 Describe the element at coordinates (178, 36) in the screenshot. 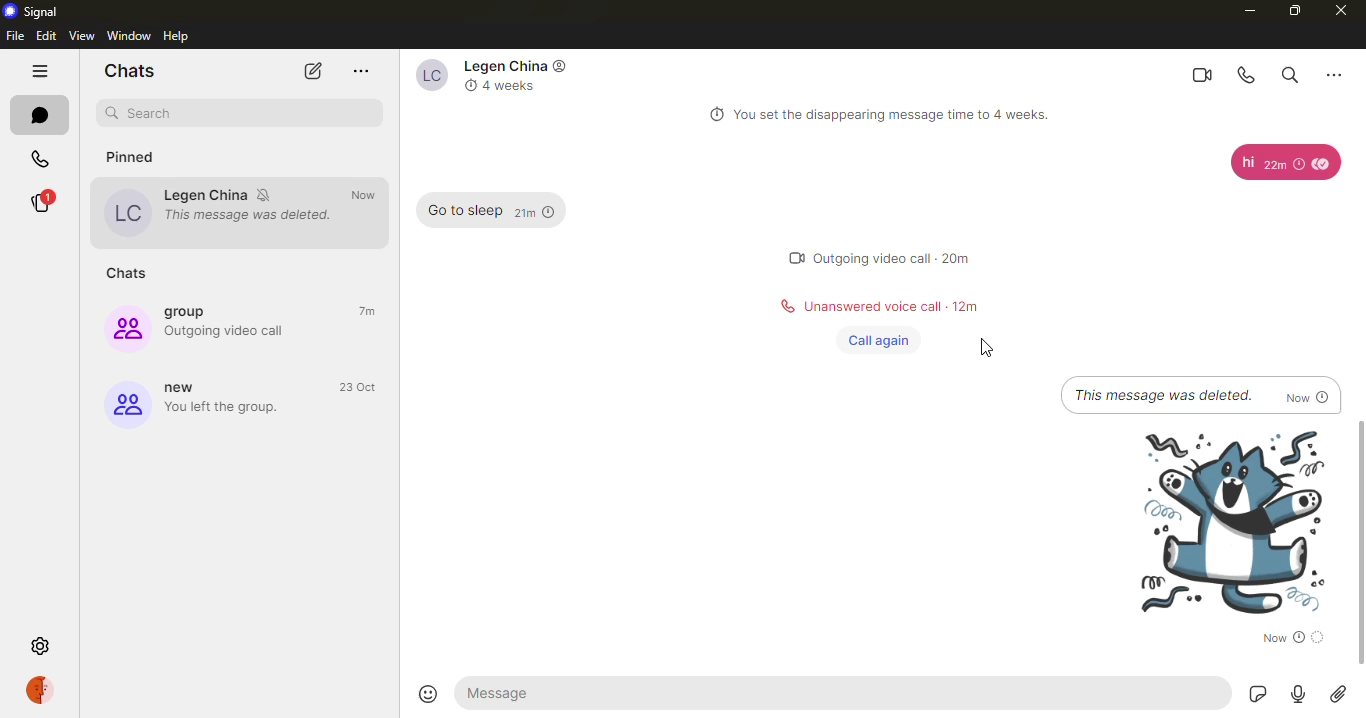

I see `help` at that location.